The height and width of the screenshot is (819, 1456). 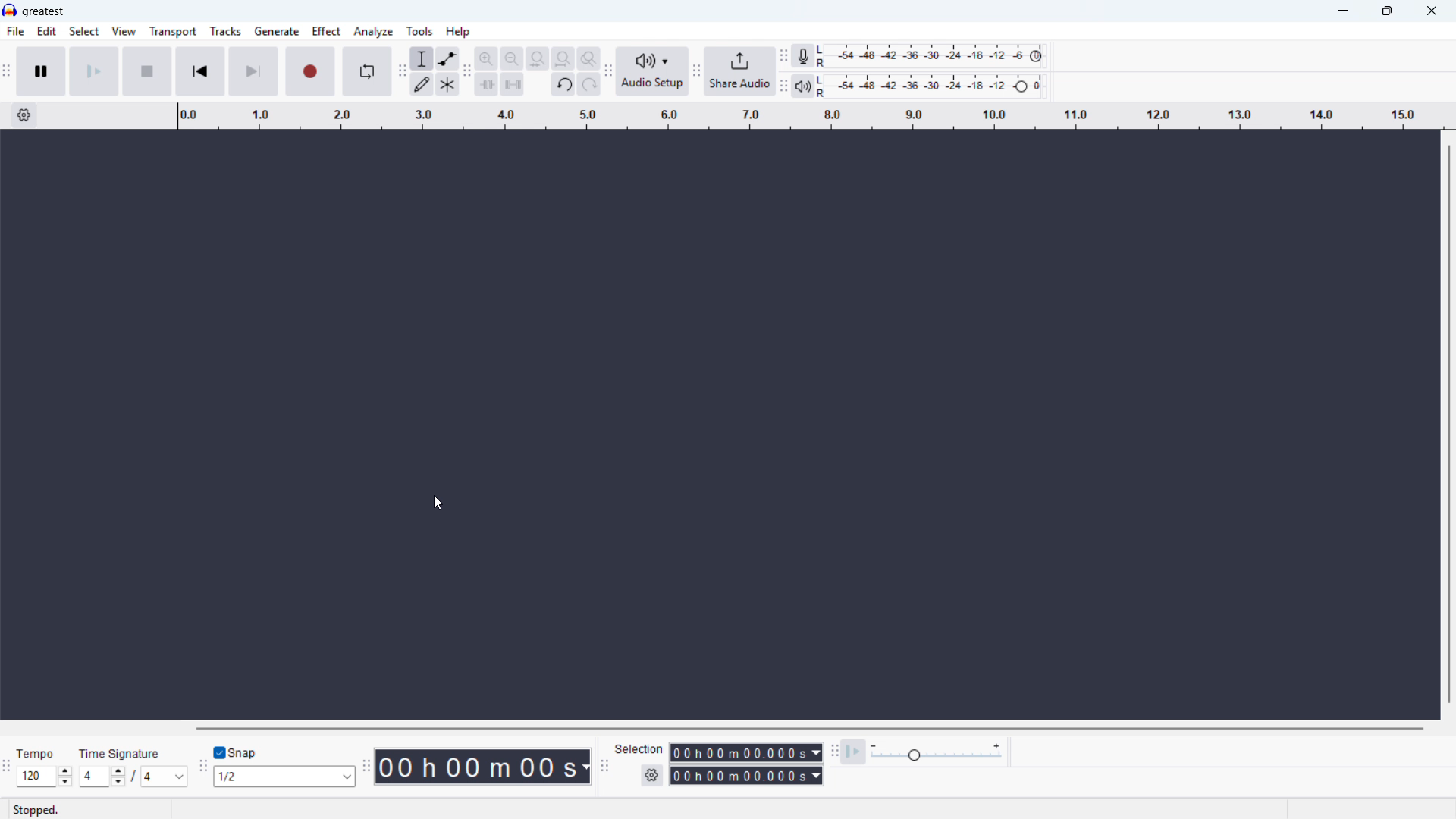 What do you see at coordinates (487, 84) in the screenshot?
I see `trim audio outside selection` at bounding box center [487, 84].